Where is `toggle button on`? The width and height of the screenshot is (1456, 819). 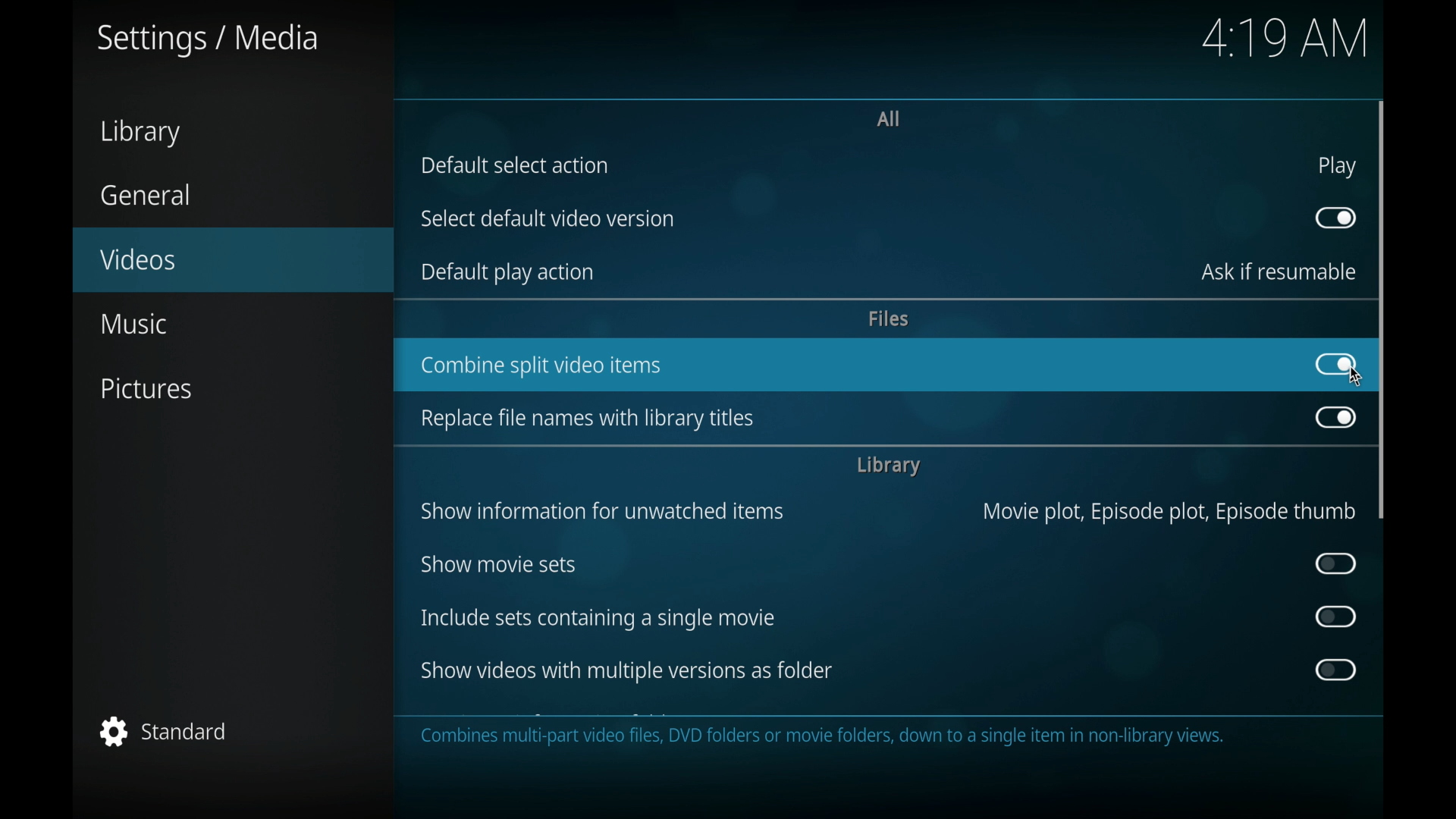 toggle button on is located at coordinates (1335, 365).